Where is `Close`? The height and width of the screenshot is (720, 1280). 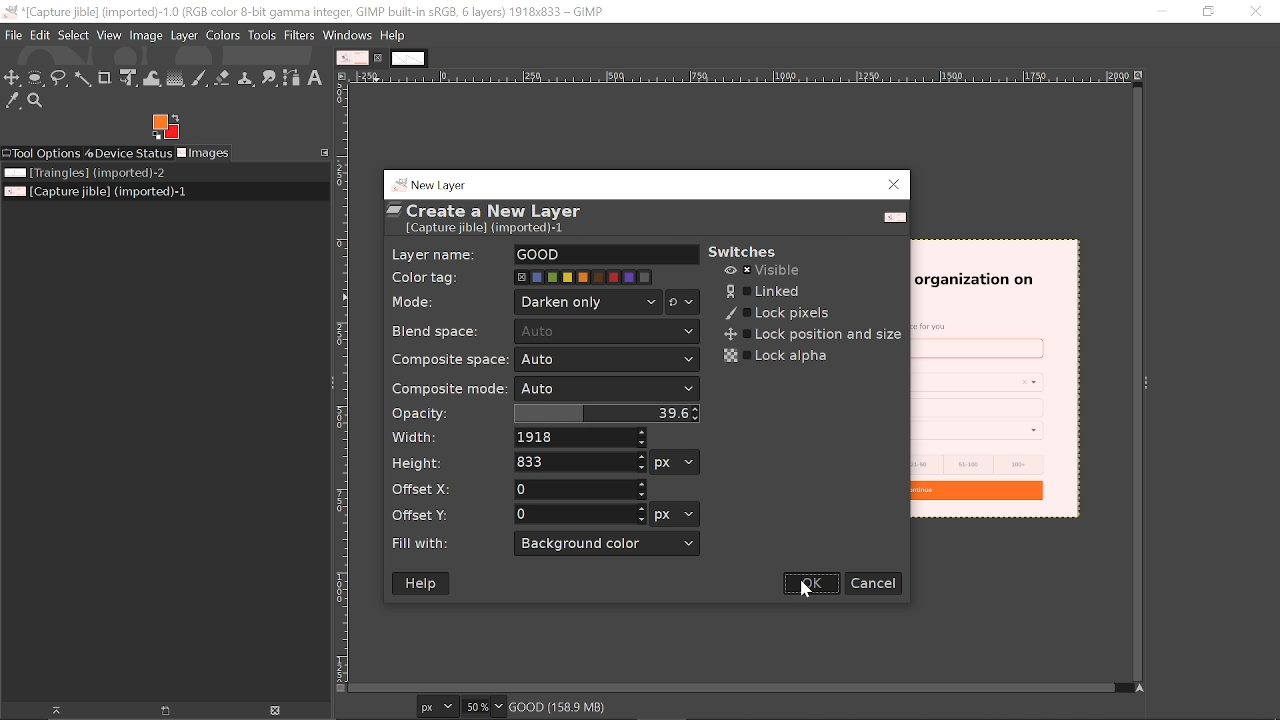 Close is located at coordinates (895, 185).